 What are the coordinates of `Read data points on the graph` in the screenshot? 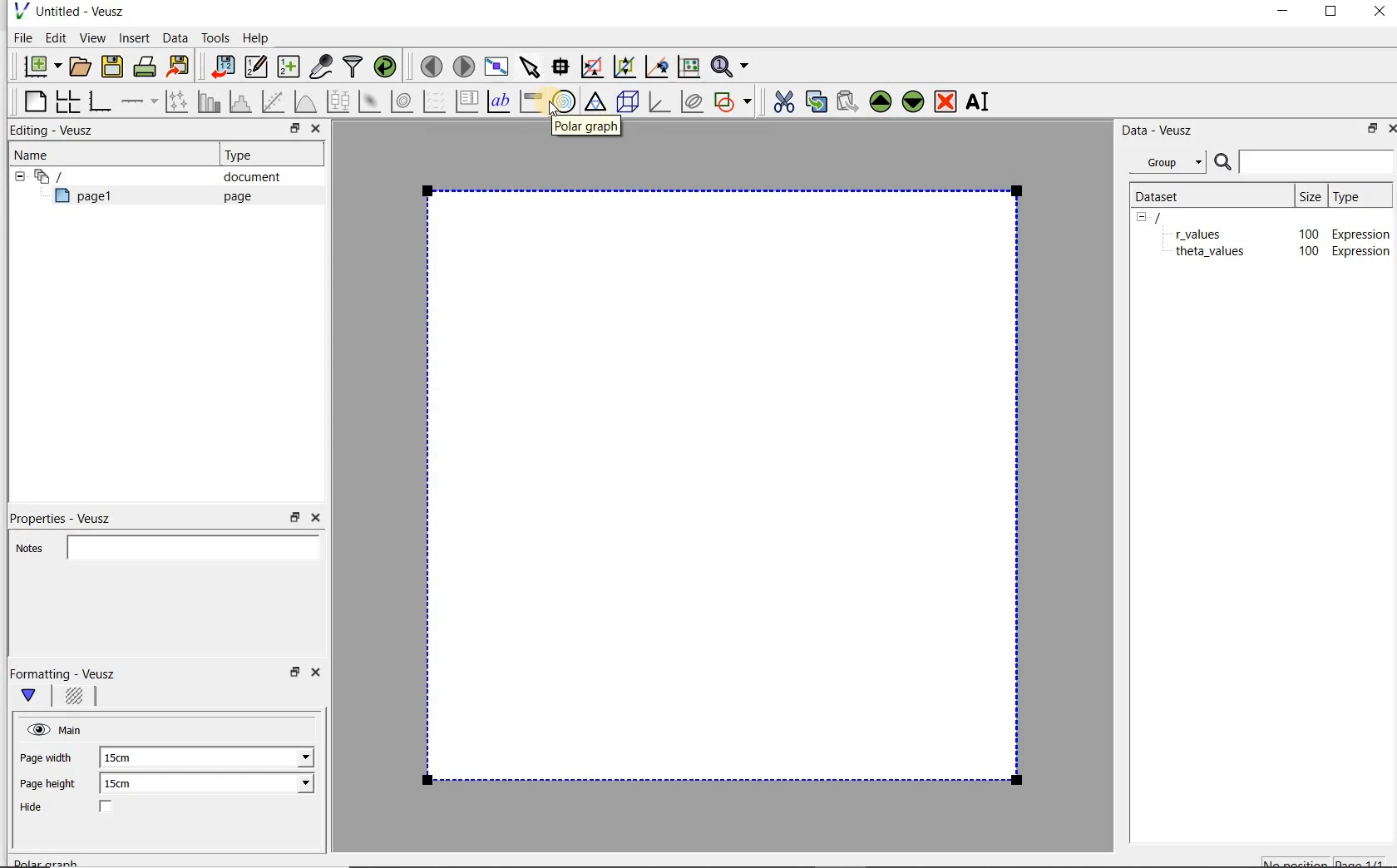 It's located at (563, 67).